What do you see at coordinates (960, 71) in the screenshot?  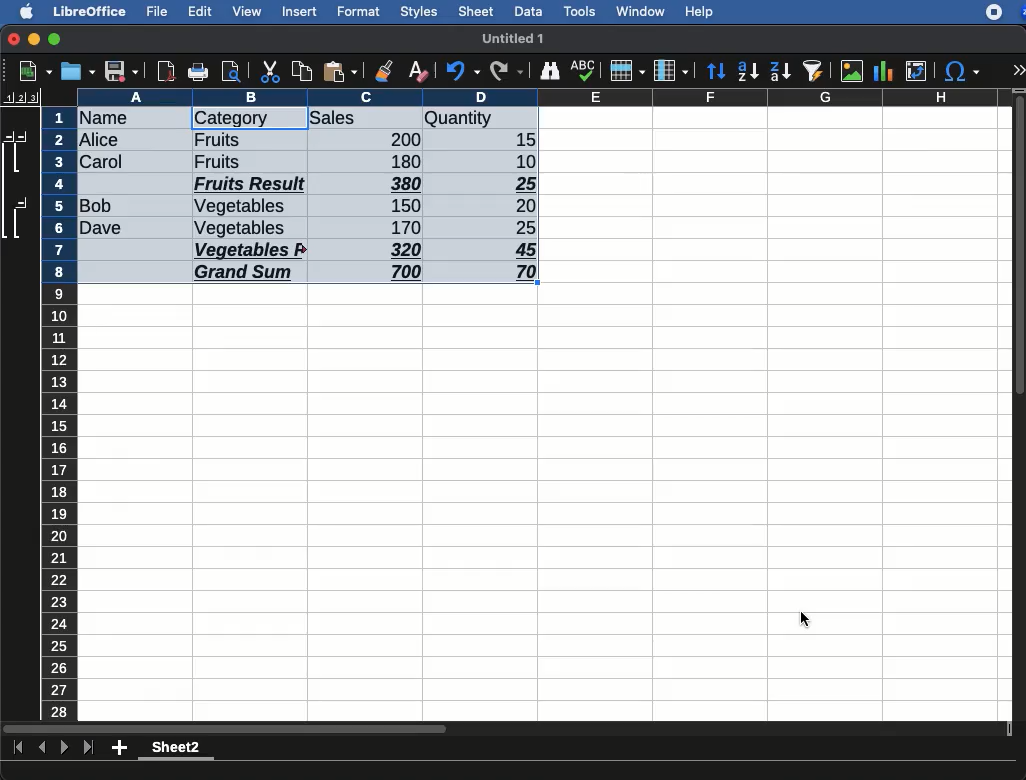 I see `special characters` at bounding box center [960, 71].